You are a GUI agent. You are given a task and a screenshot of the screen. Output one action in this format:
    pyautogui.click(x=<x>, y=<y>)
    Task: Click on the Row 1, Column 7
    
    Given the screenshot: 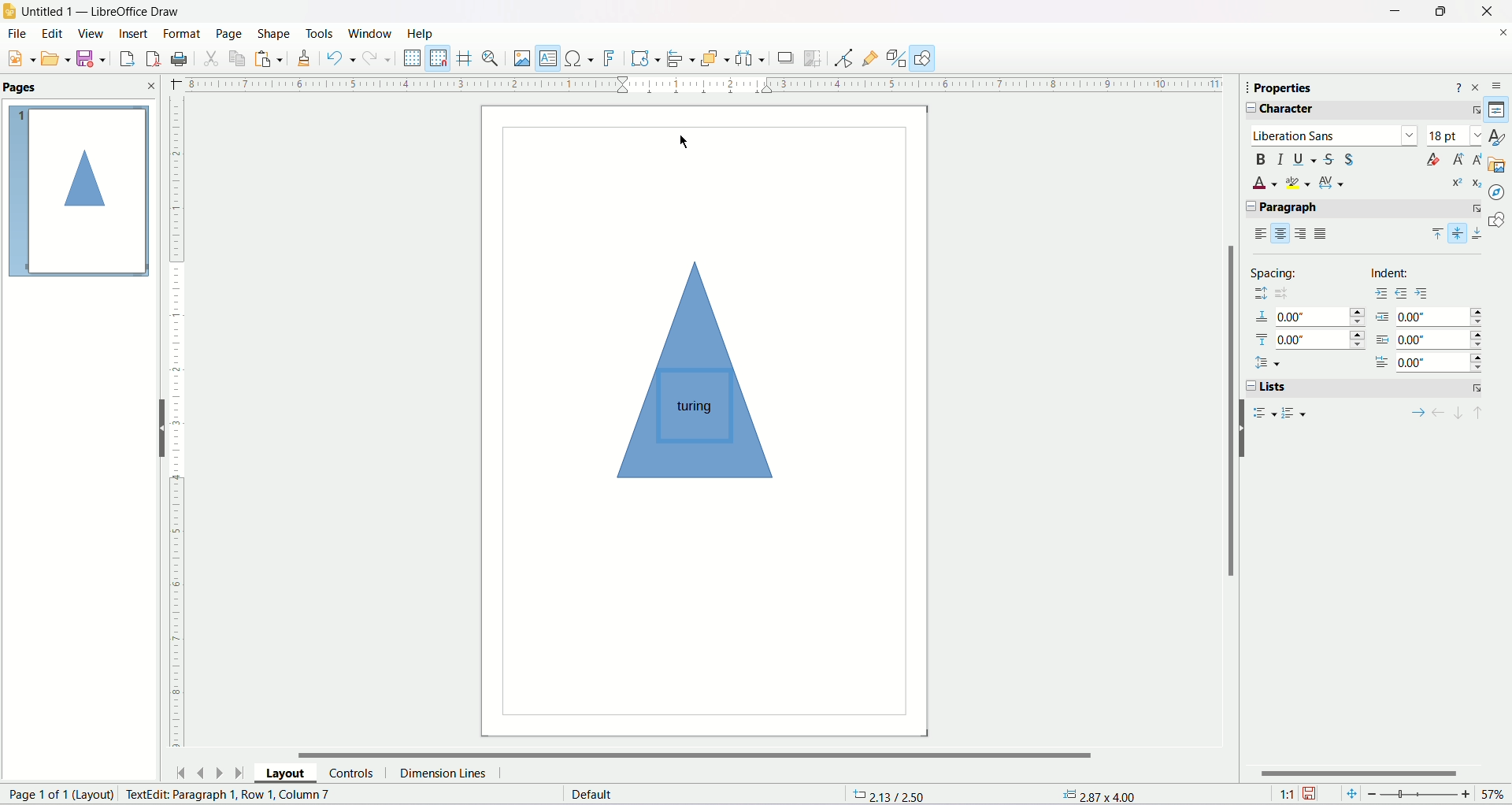 What is the action you would take?
    pyautogui.click(x=282, y=796)
    